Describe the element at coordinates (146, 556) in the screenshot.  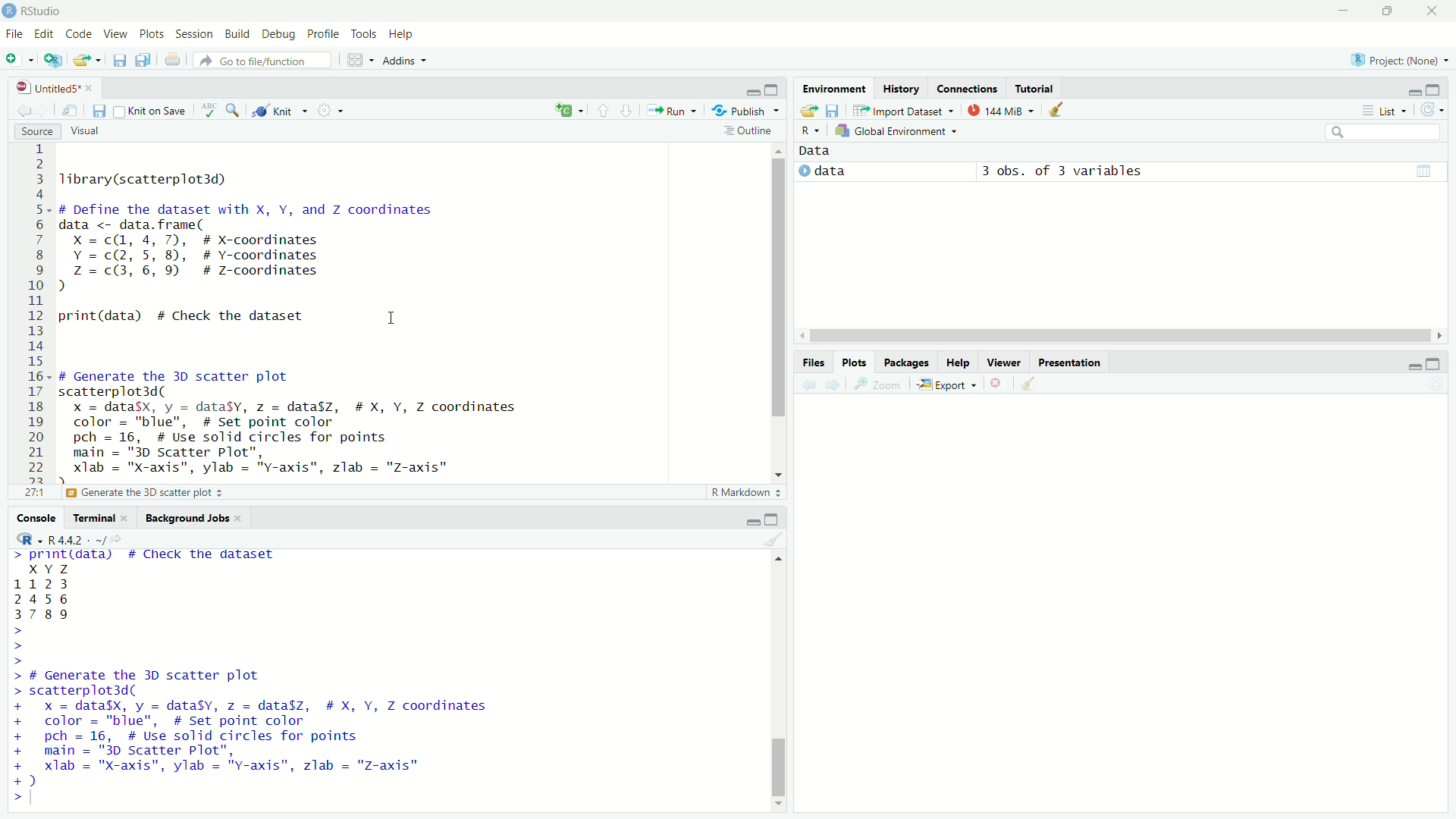
I see `> print(data) # Check the dataset` at that location.